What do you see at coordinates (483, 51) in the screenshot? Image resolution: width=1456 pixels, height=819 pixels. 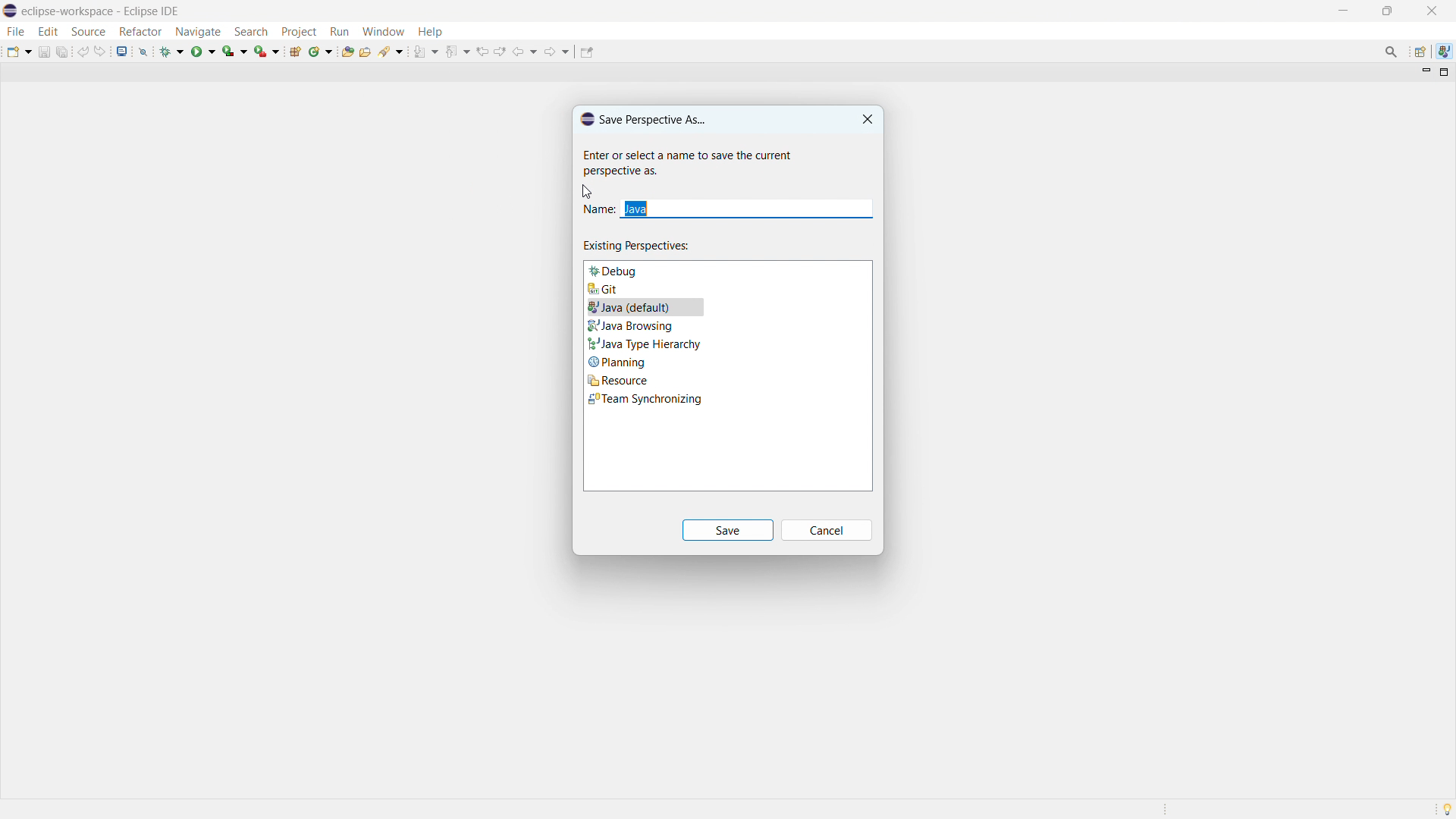 I see `view previous location` at bounding box center [483, 51].